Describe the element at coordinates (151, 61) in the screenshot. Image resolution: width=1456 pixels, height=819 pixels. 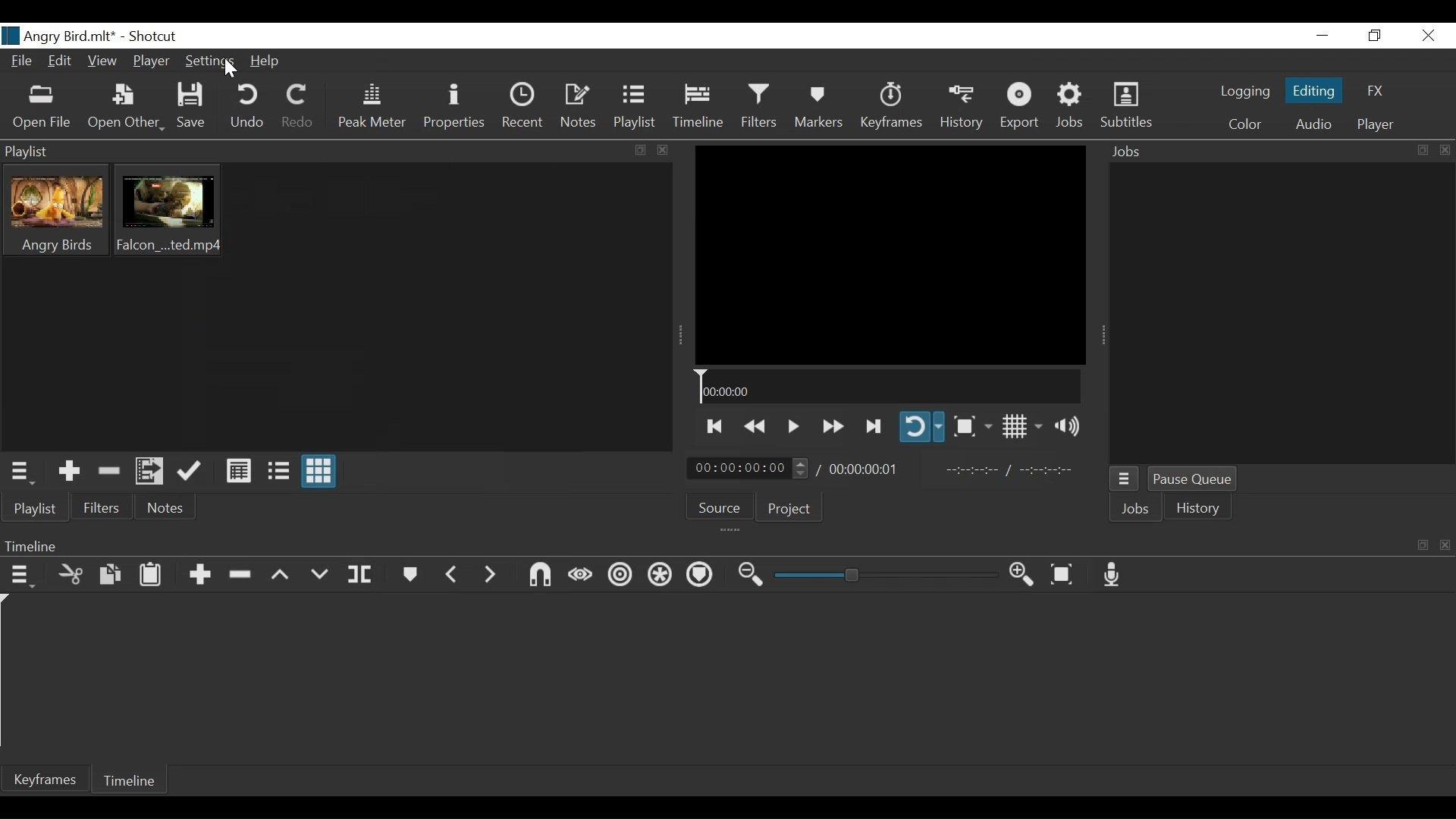
I see `Player` at that location.